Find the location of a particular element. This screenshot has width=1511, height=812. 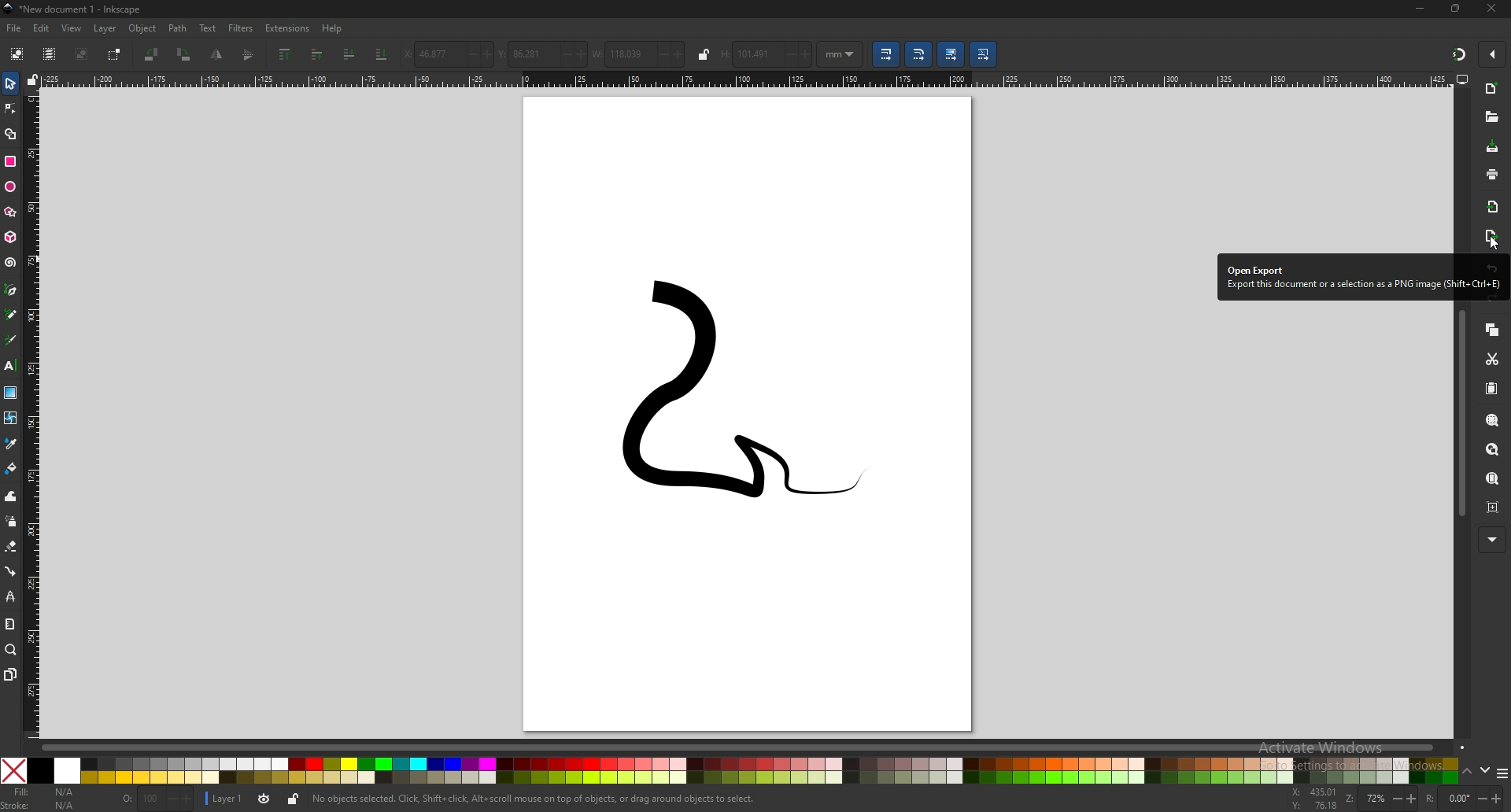

fill is located at coordinates (45, 792).